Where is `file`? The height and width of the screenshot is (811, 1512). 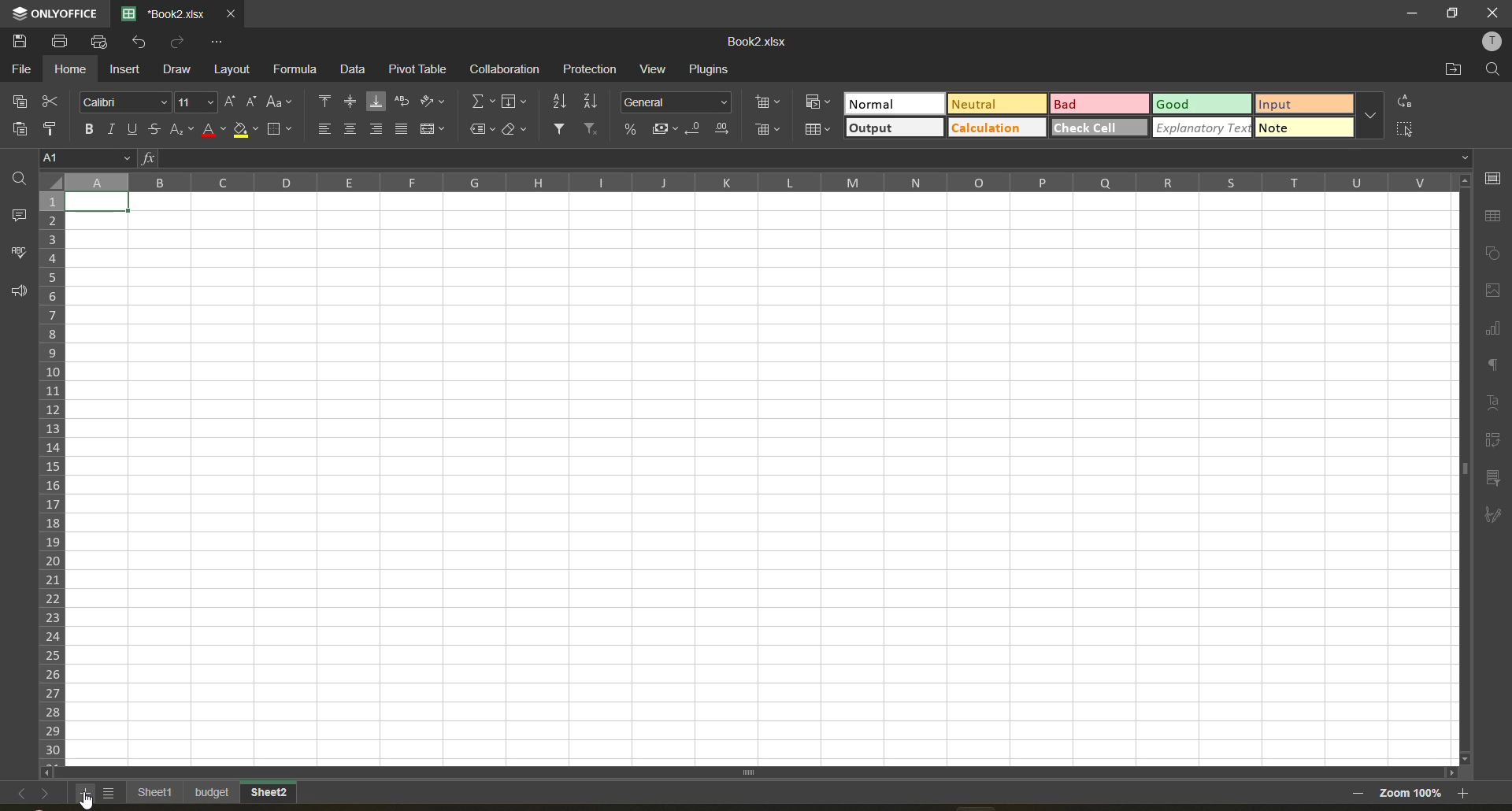
file is located at coordinates (19, 69).